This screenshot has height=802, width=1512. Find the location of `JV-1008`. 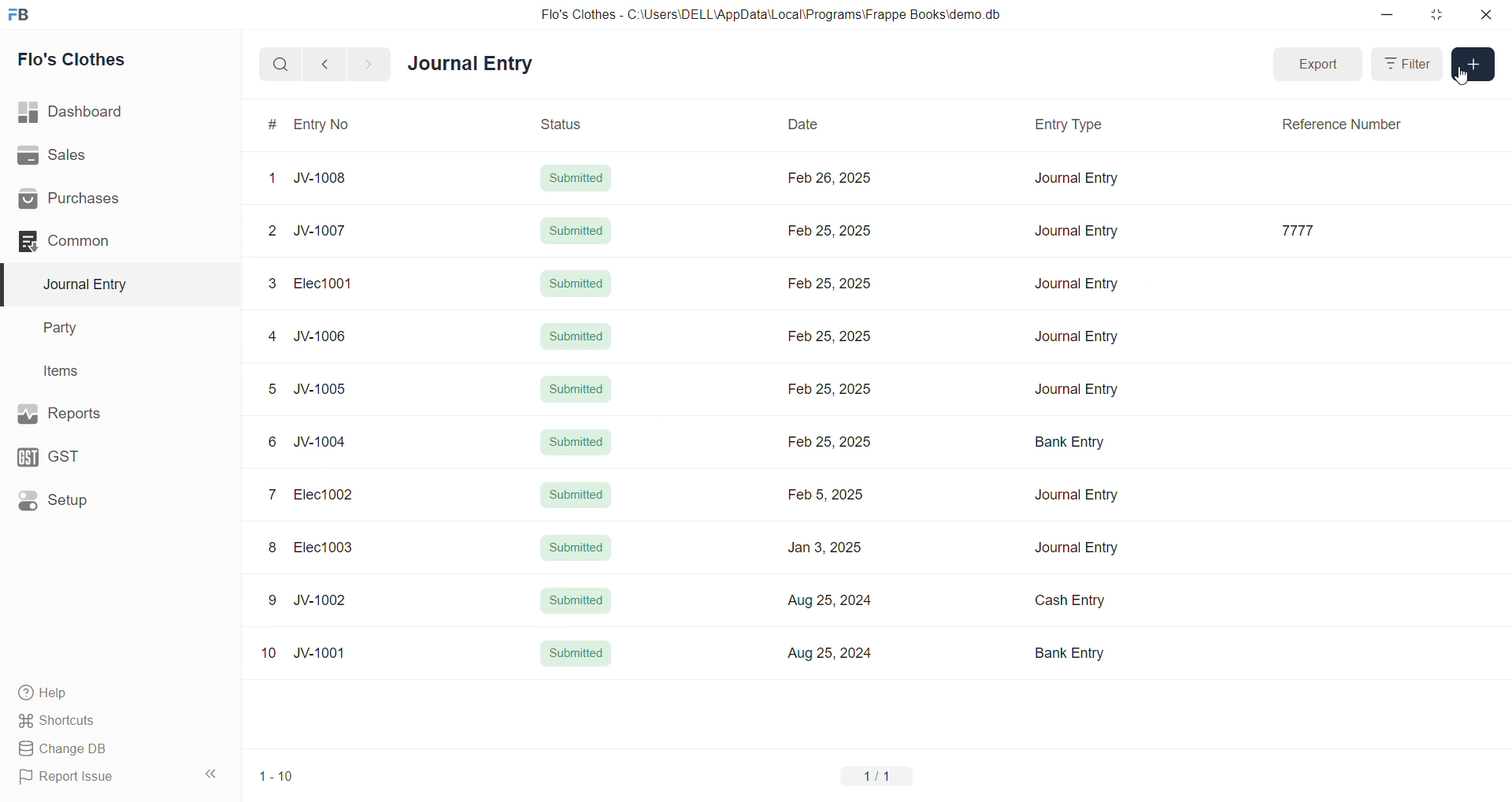

JV-1008 is located at coordinates (326, 180).